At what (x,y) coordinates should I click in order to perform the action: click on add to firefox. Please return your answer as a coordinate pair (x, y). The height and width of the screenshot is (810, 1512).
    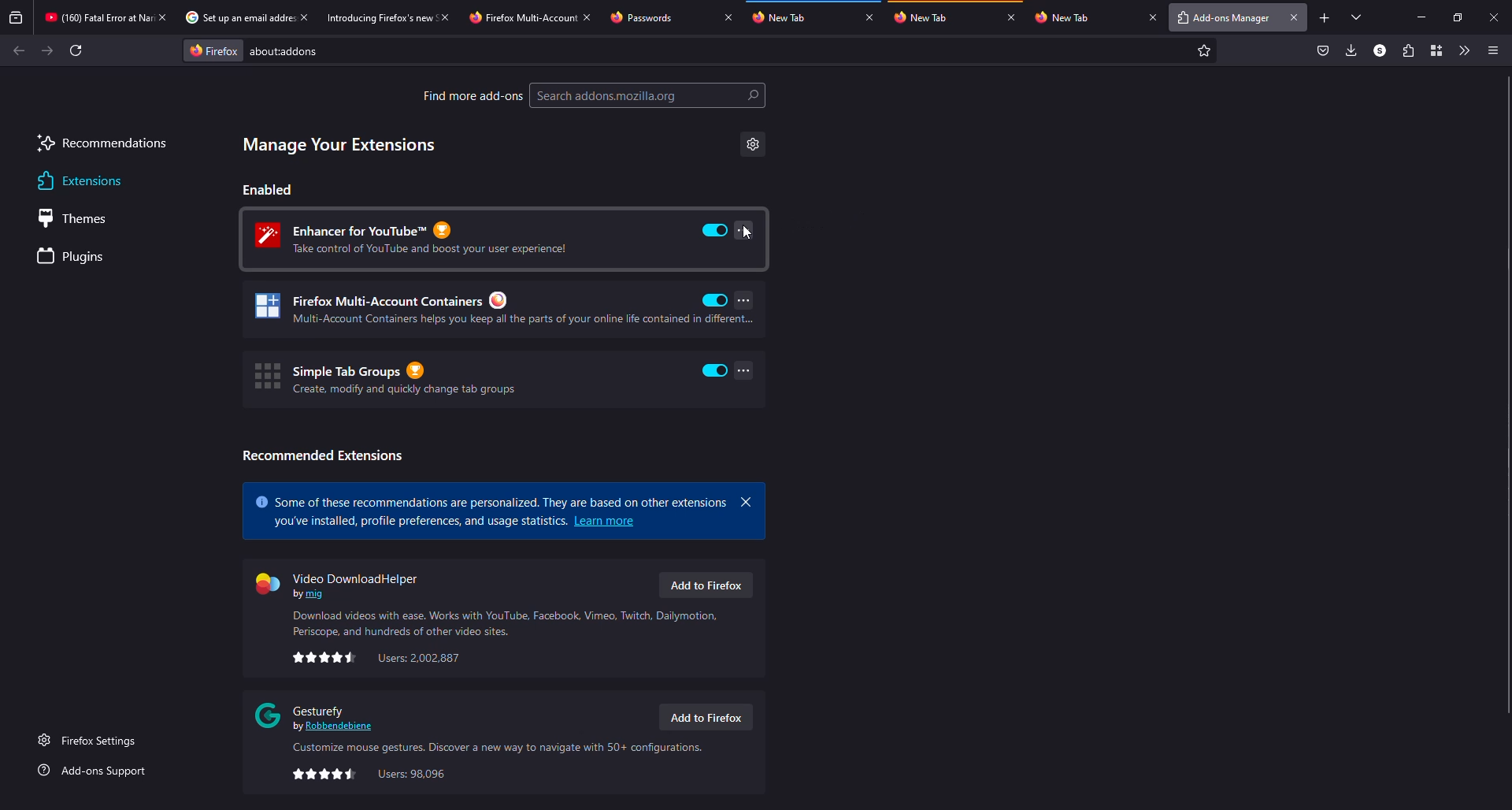
    Looking at the image, I should click on (704, 718).